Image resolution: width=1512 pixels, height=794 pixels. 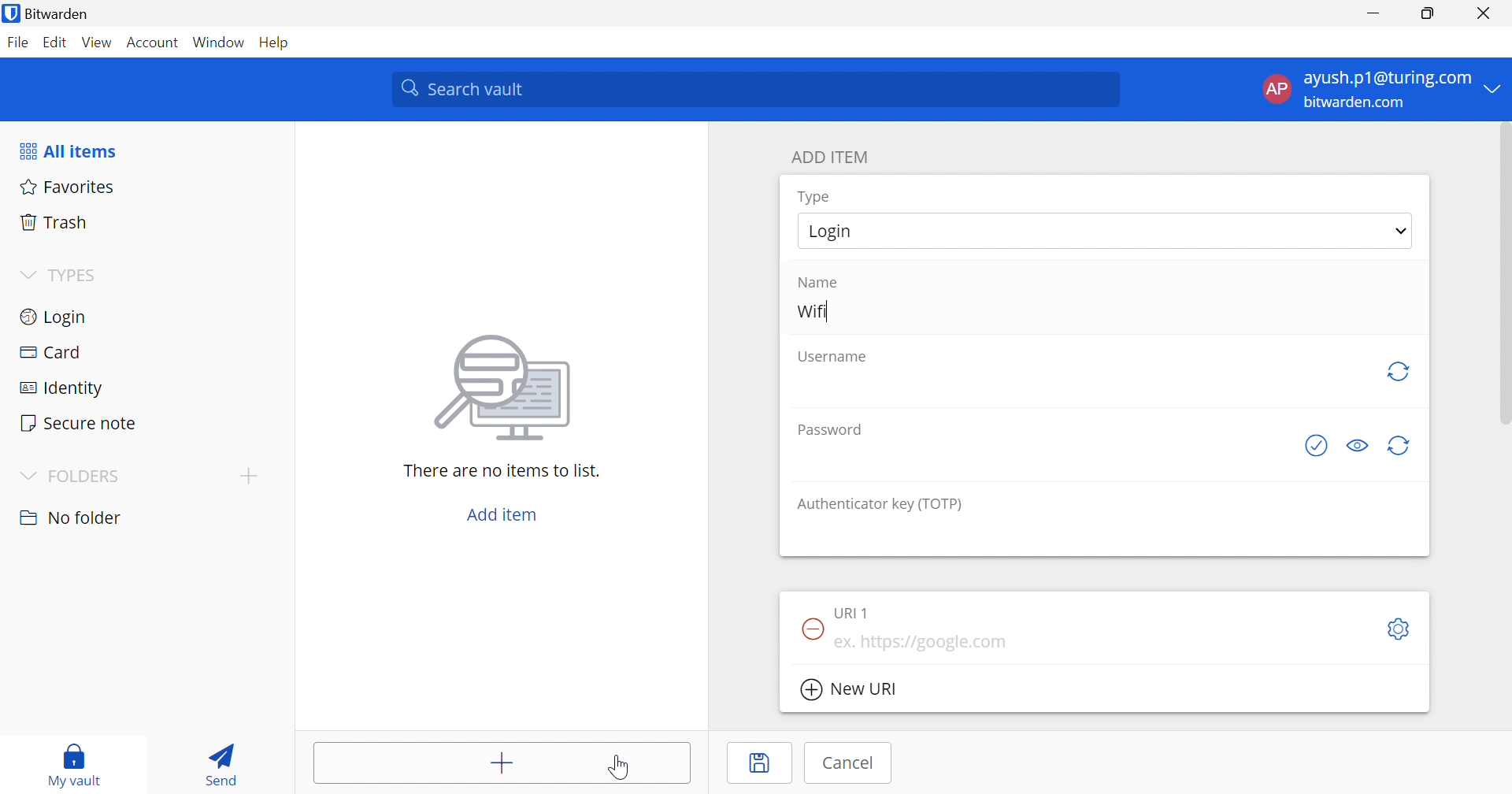 I want to click on Minimize, so click(x=1373, y=14).